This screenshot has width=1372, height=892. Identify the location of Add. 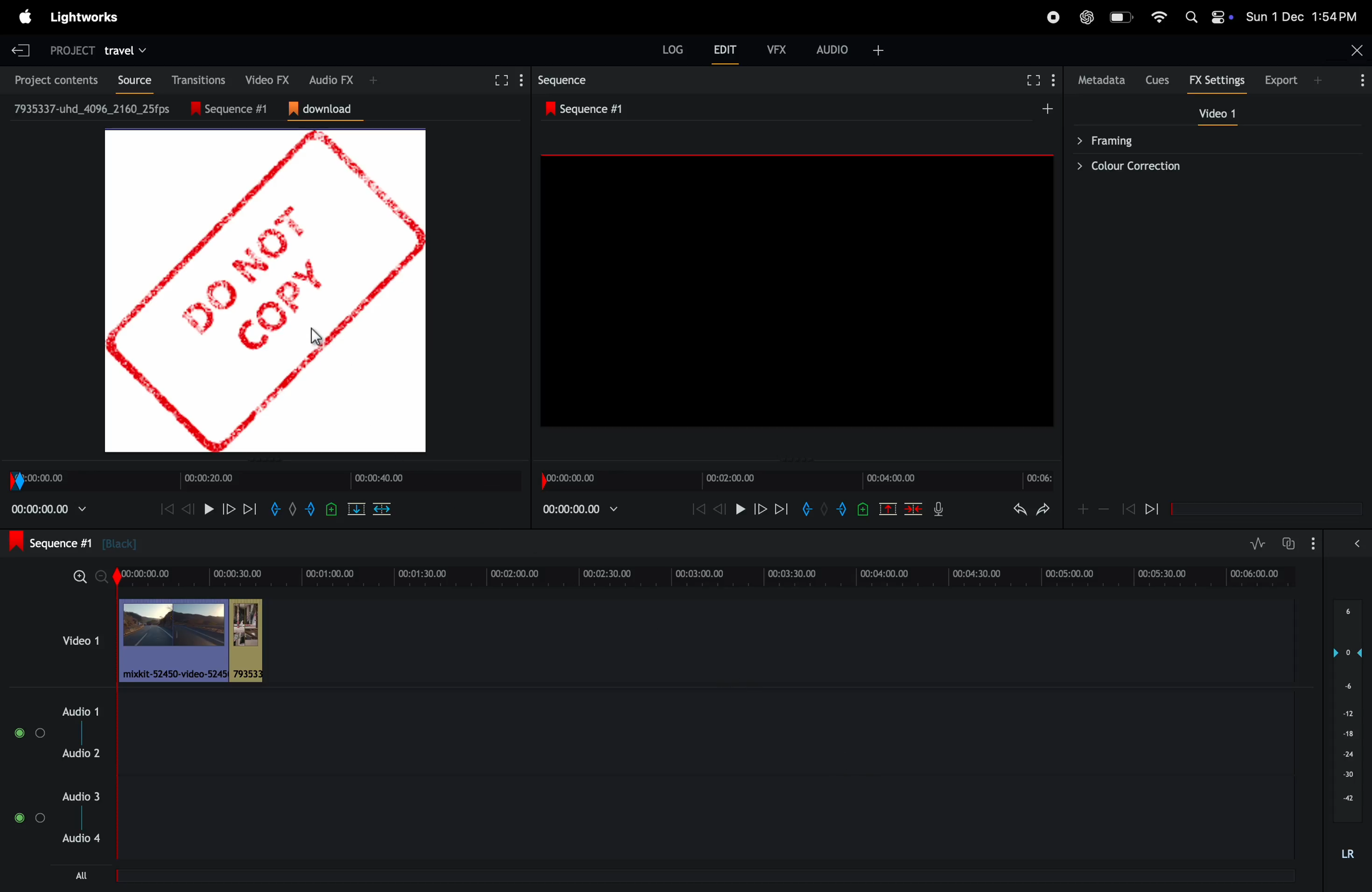
(293, 509).